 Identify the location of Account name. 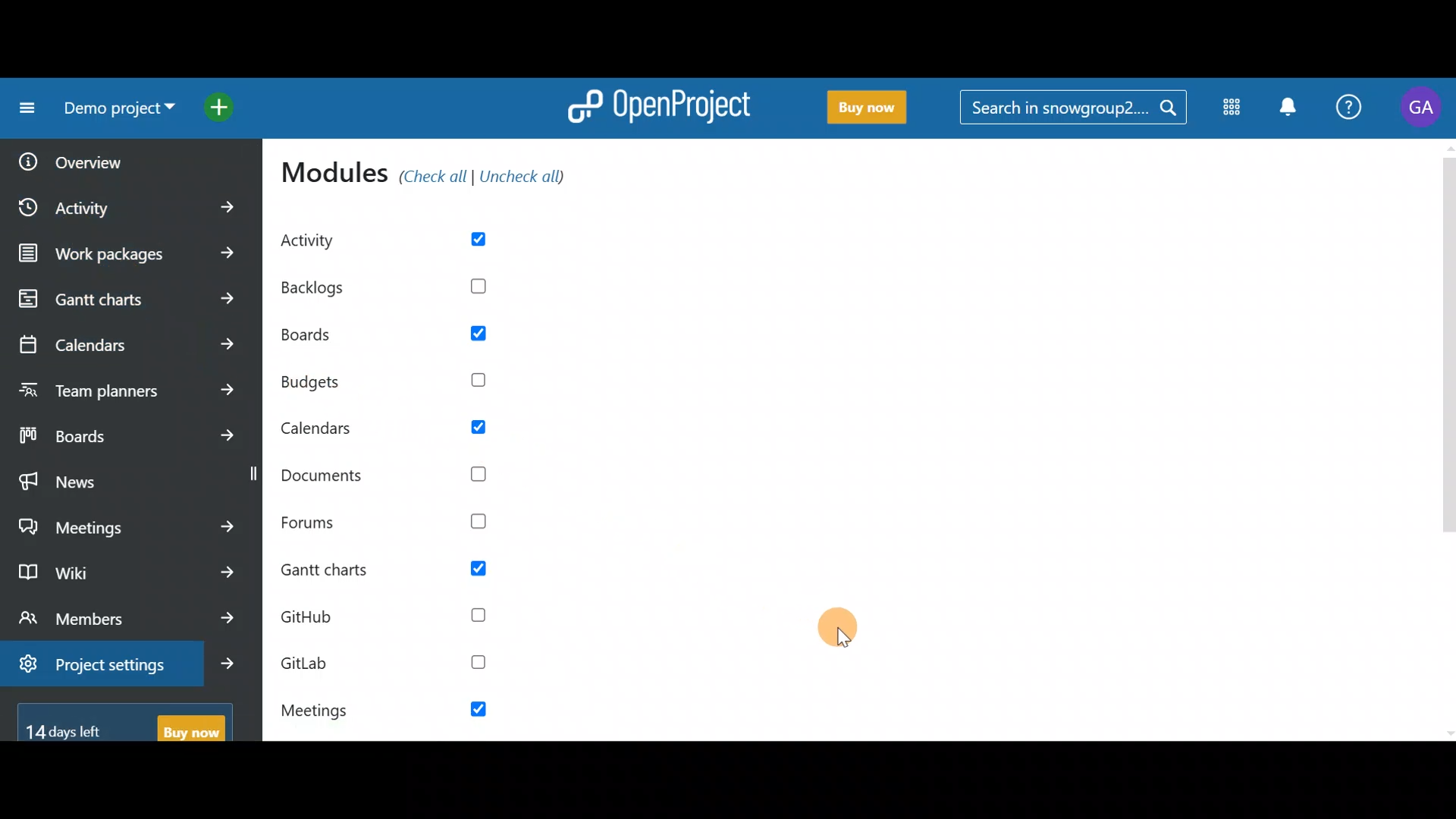
(1419, 111).